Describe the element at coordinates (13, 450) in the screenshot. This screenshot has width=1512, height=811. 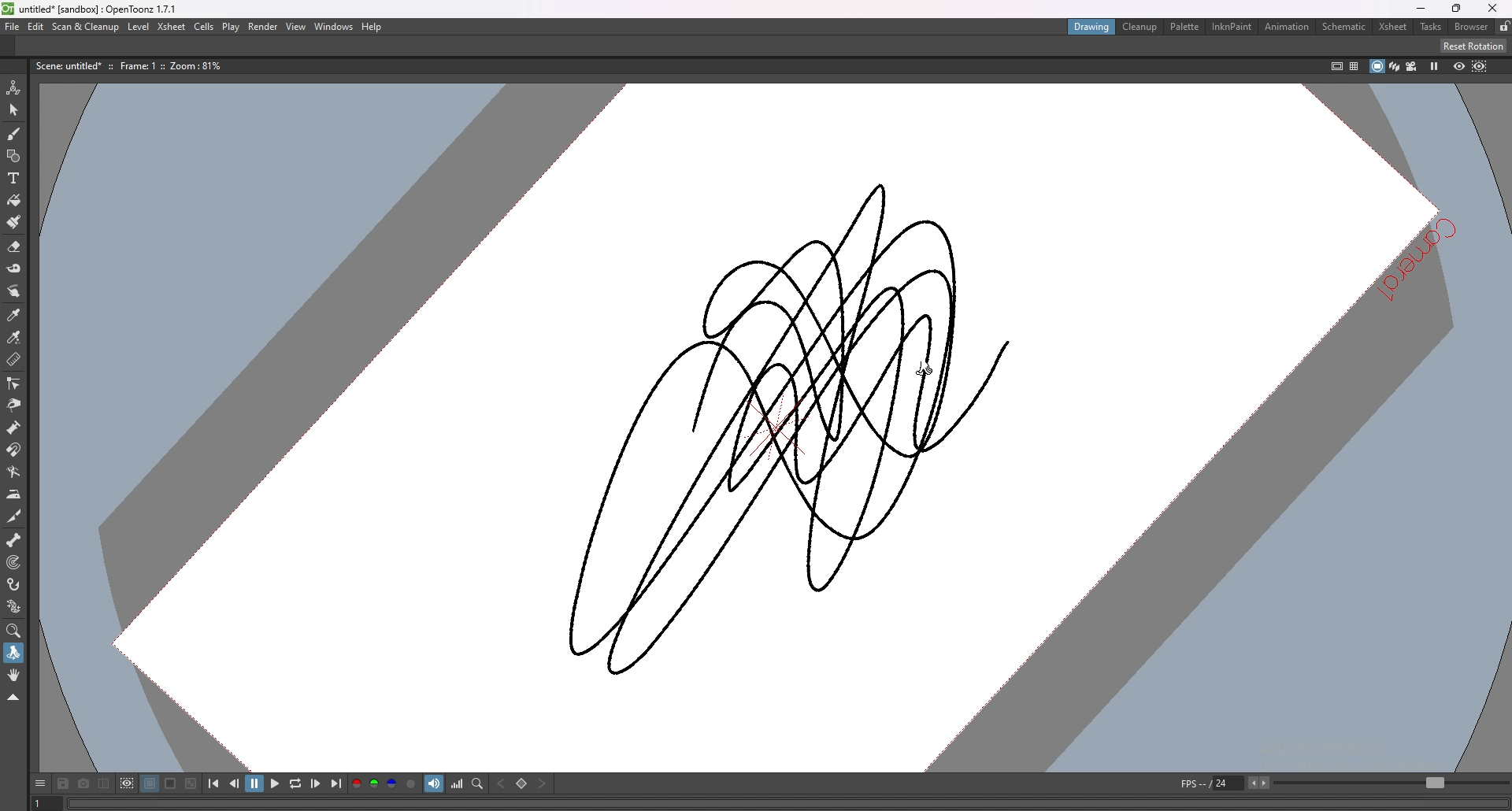
I see `magnet` at that location.